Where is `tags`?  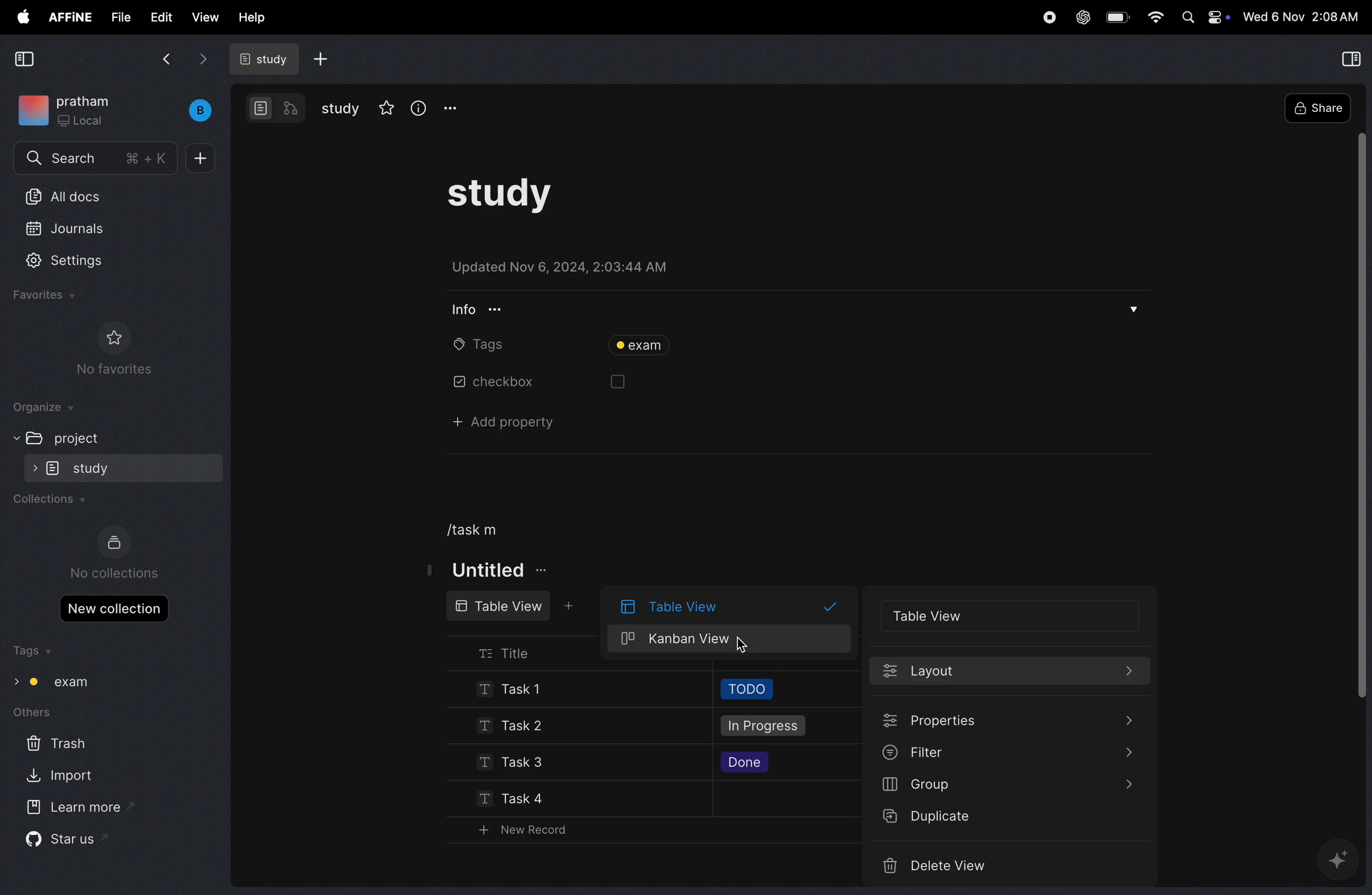
tags is located at coordinates (469, 345).